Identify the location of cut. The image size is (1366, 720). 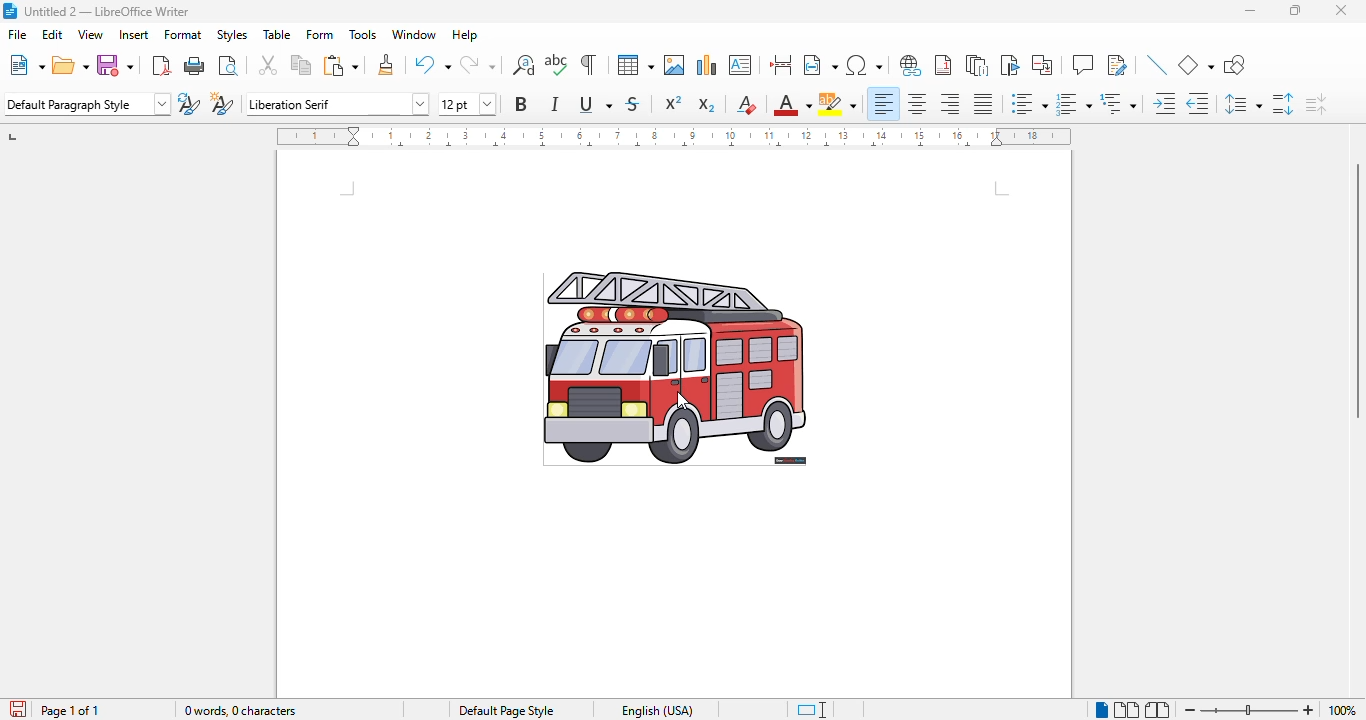
(267, 63).